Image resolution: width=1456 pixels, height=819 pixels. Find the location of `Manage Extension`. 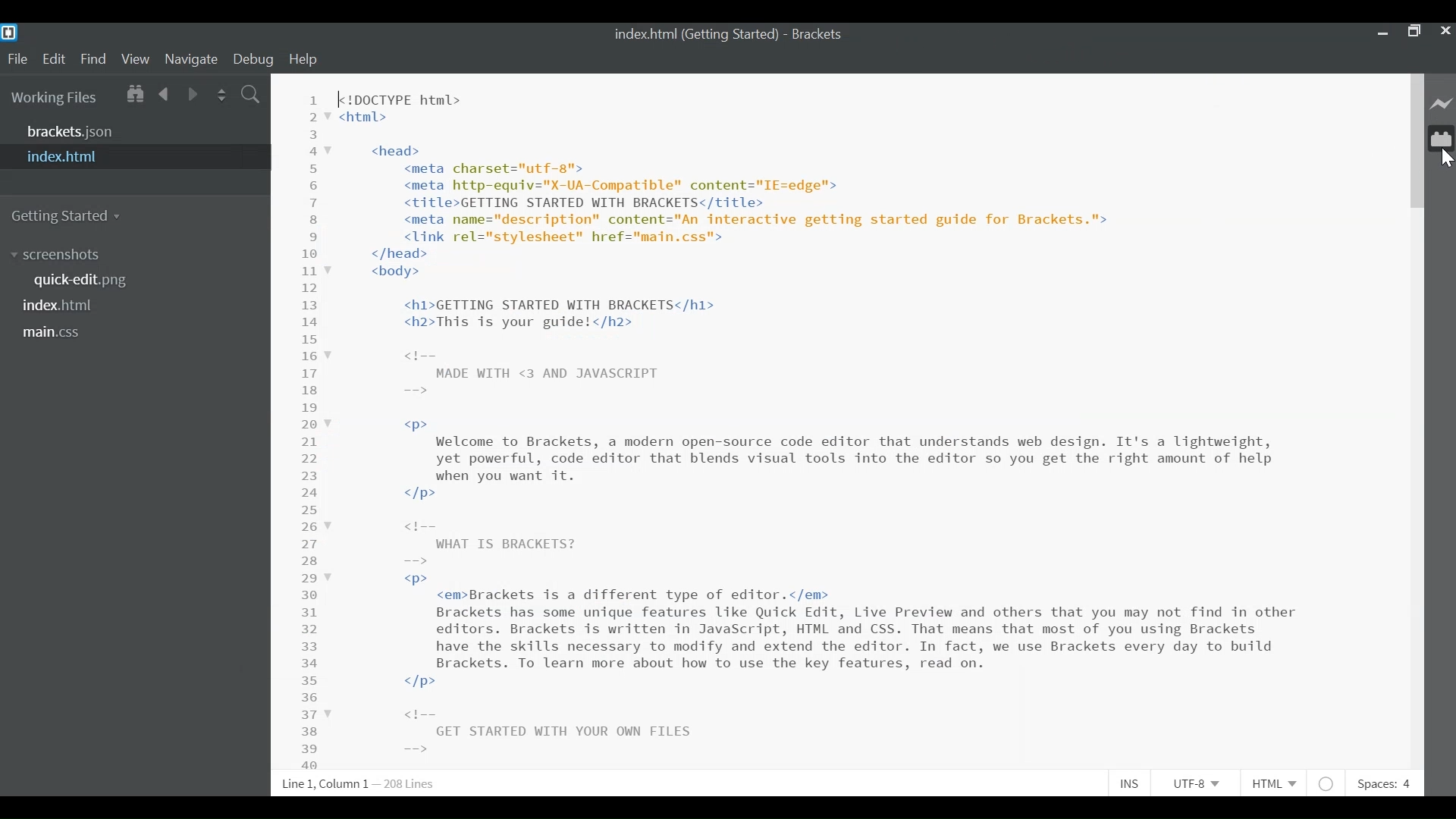

Manage Extension is located at coordinates (1440, 139).